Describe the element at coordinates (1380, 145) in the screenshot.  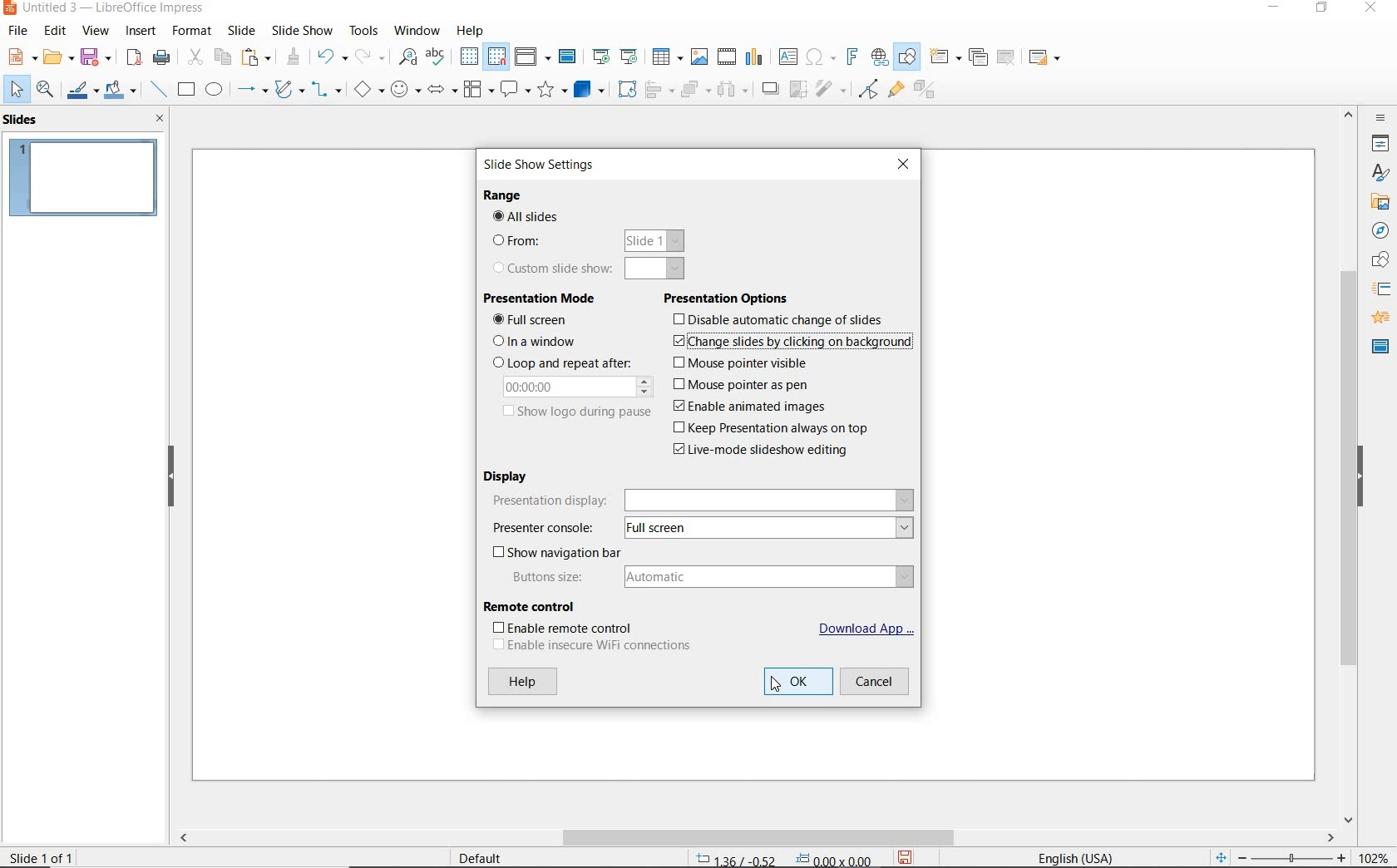
I see `PROPERTIES` at that location.